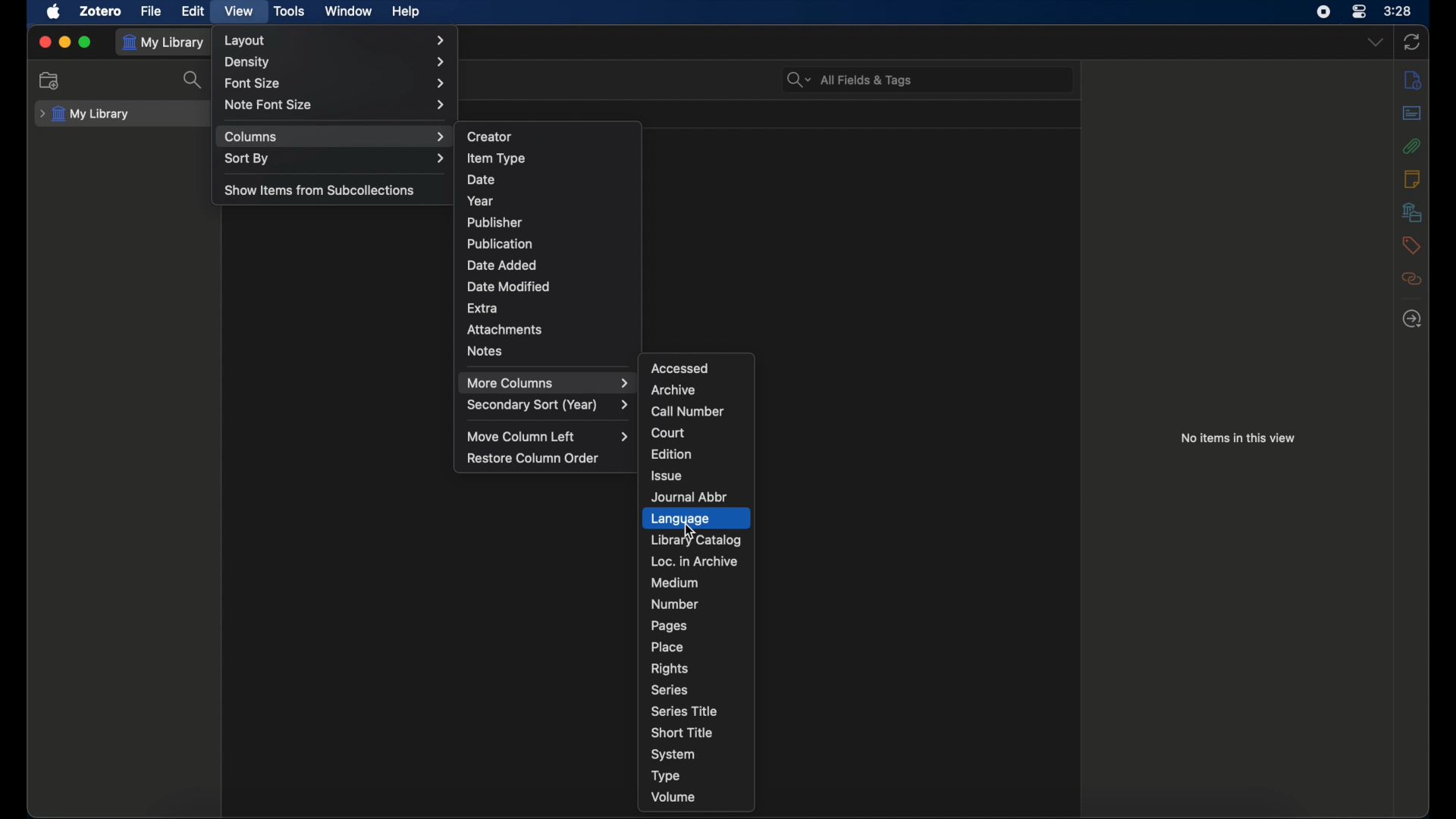 This screenshot has width=1456, height=819. Describe the element at coordinates (194, 79) in the screenshot. I see `search` at that location.